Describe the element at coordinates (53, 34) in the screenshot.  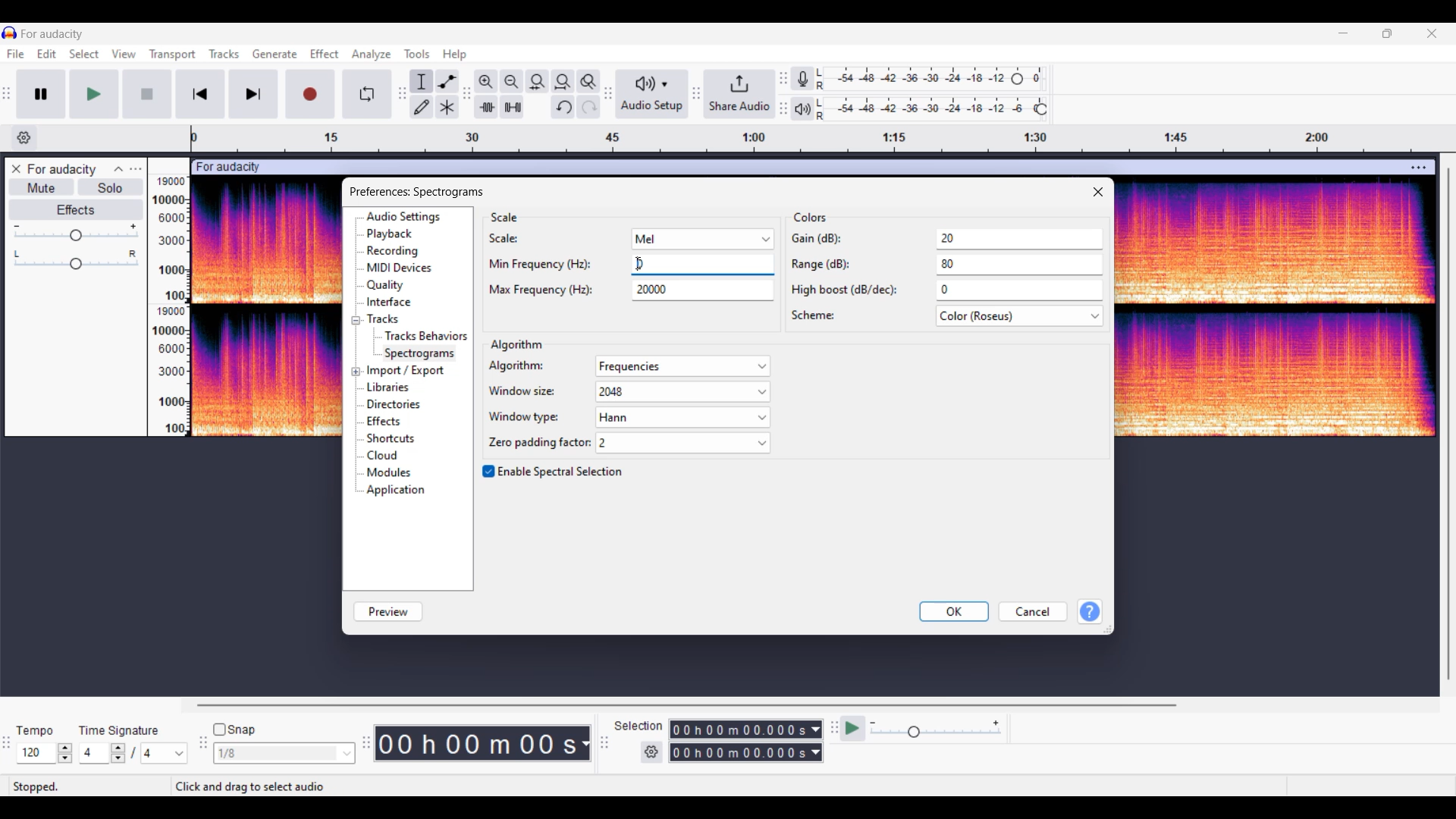
I see `Project name` at that location.